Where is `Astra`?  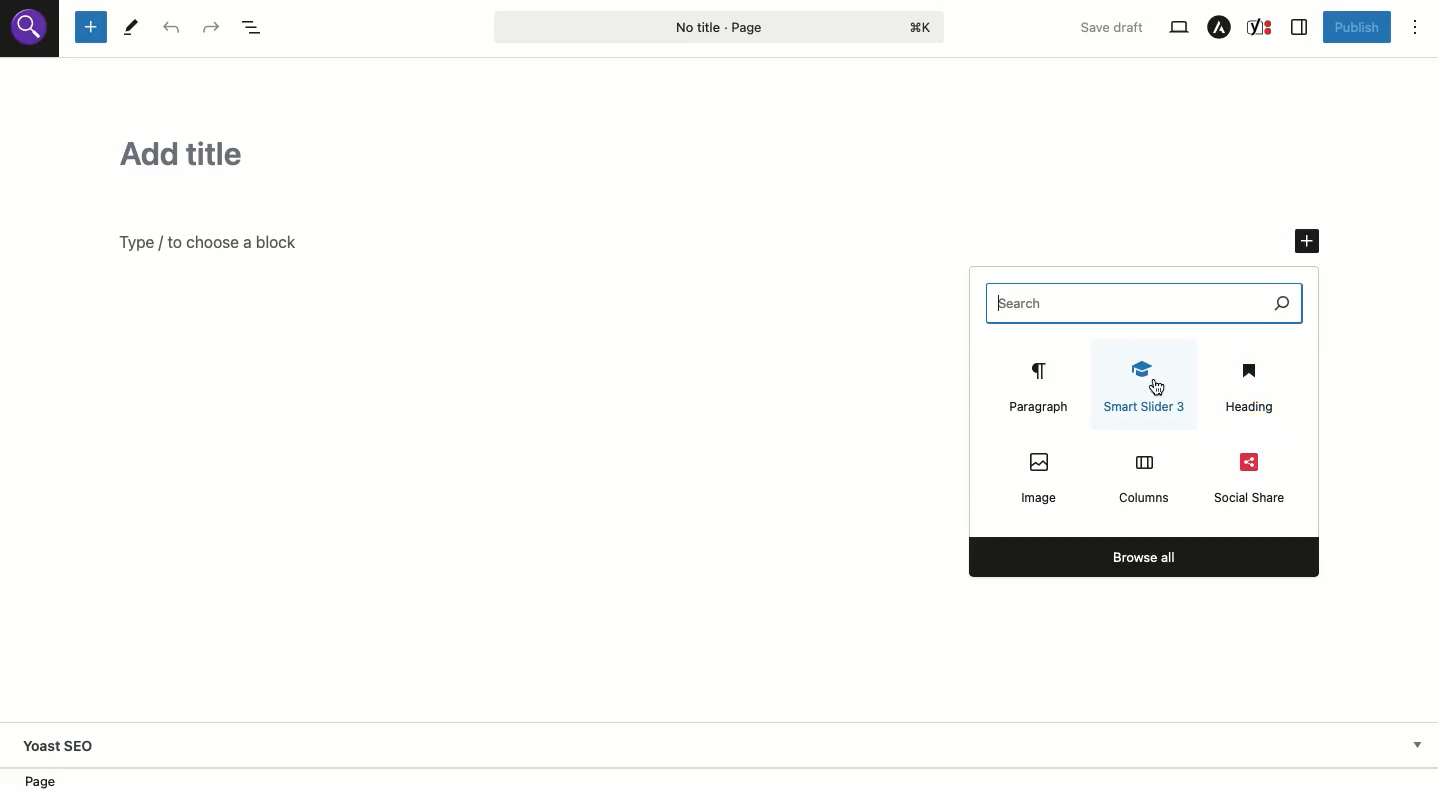
Astra is located at coordinates (1220, 27).